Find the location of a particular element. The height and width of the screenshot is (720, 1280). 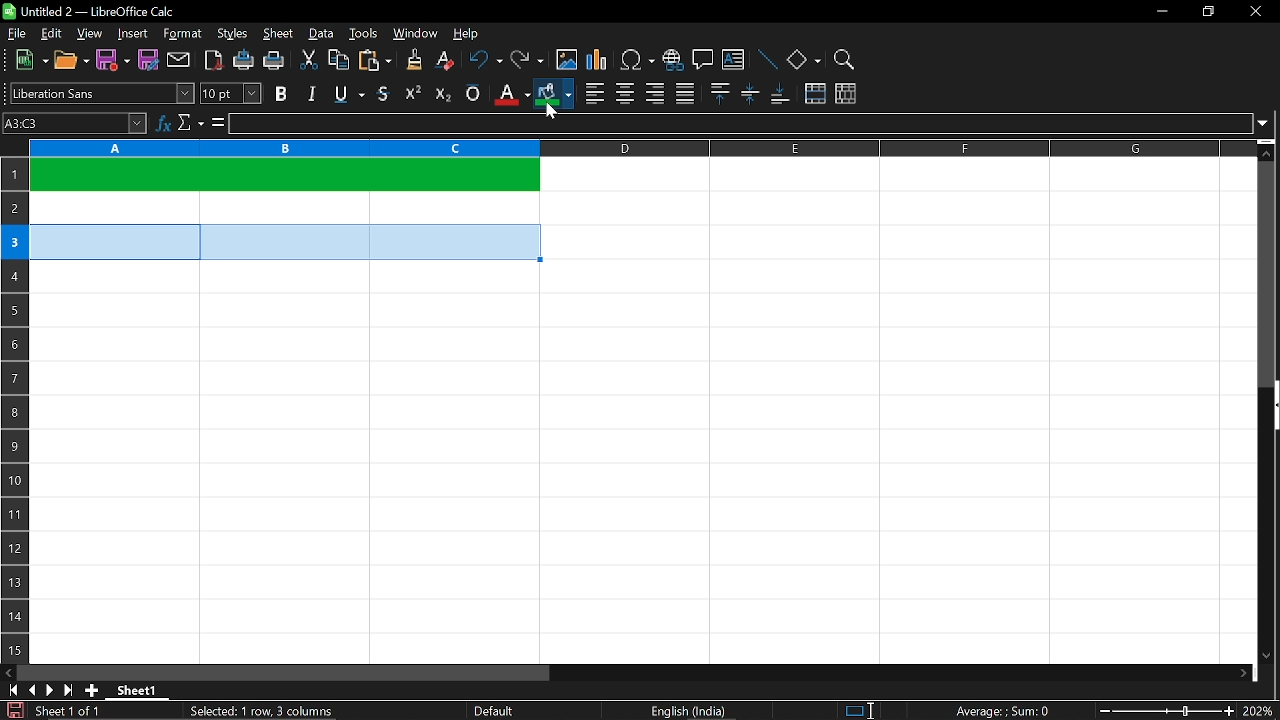

sheet is located at coordinates (278, 34).